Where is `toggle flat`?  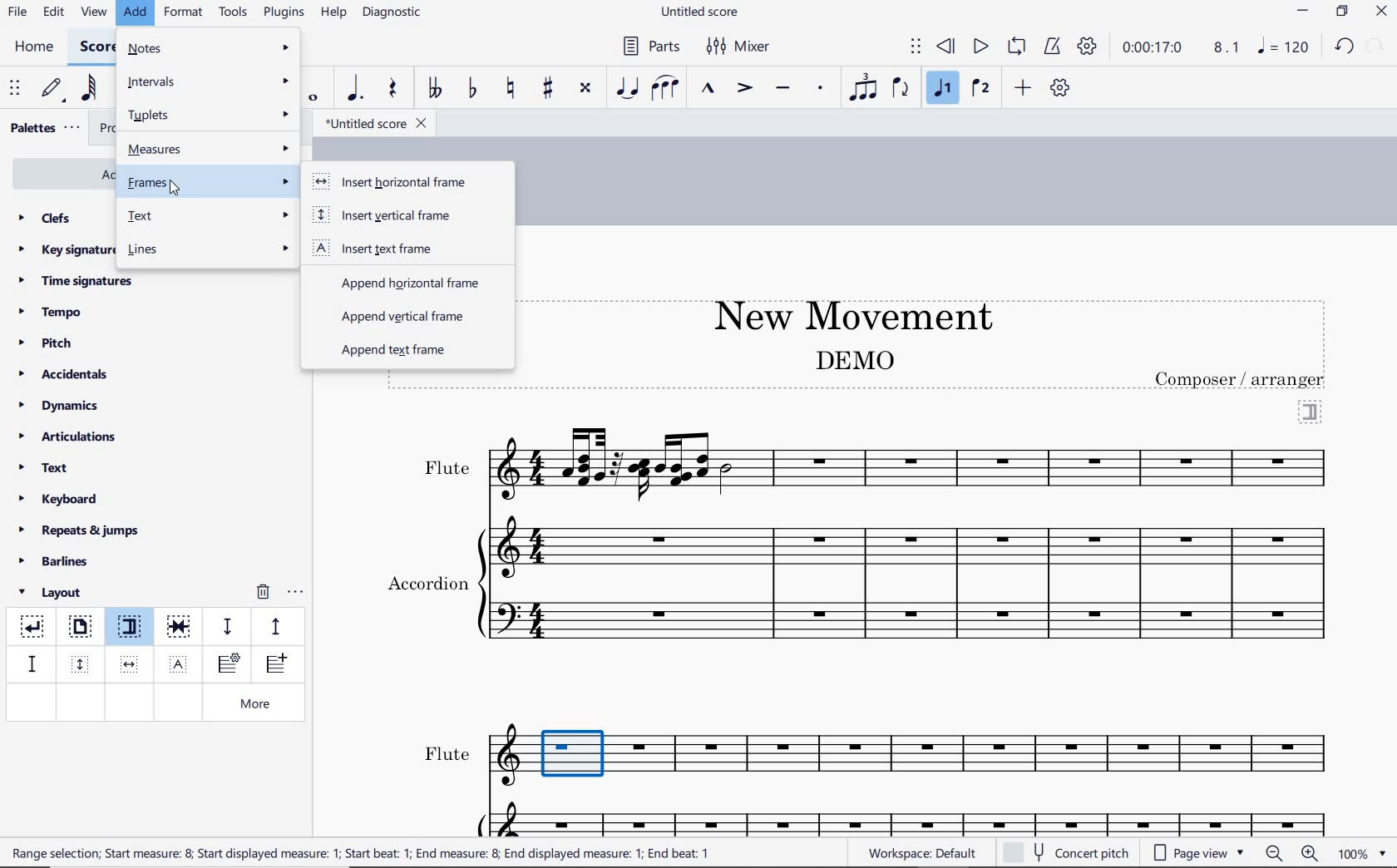
toggle flat is located at coordinates (471, 89).